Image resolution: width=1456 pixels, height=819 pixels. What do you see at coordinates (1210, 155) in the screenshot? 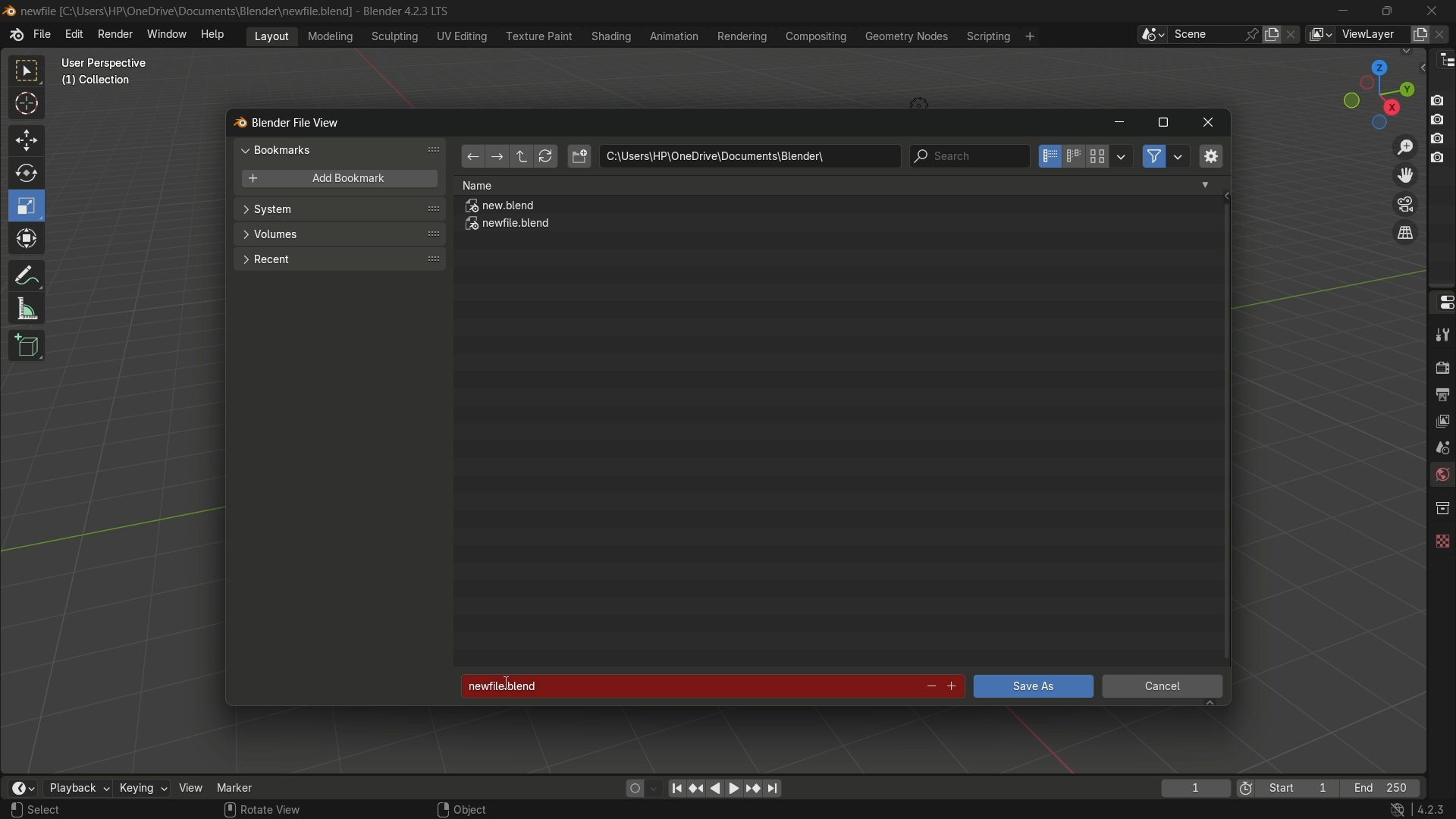
I see `toggle region` at bounding box center [1210, 155].